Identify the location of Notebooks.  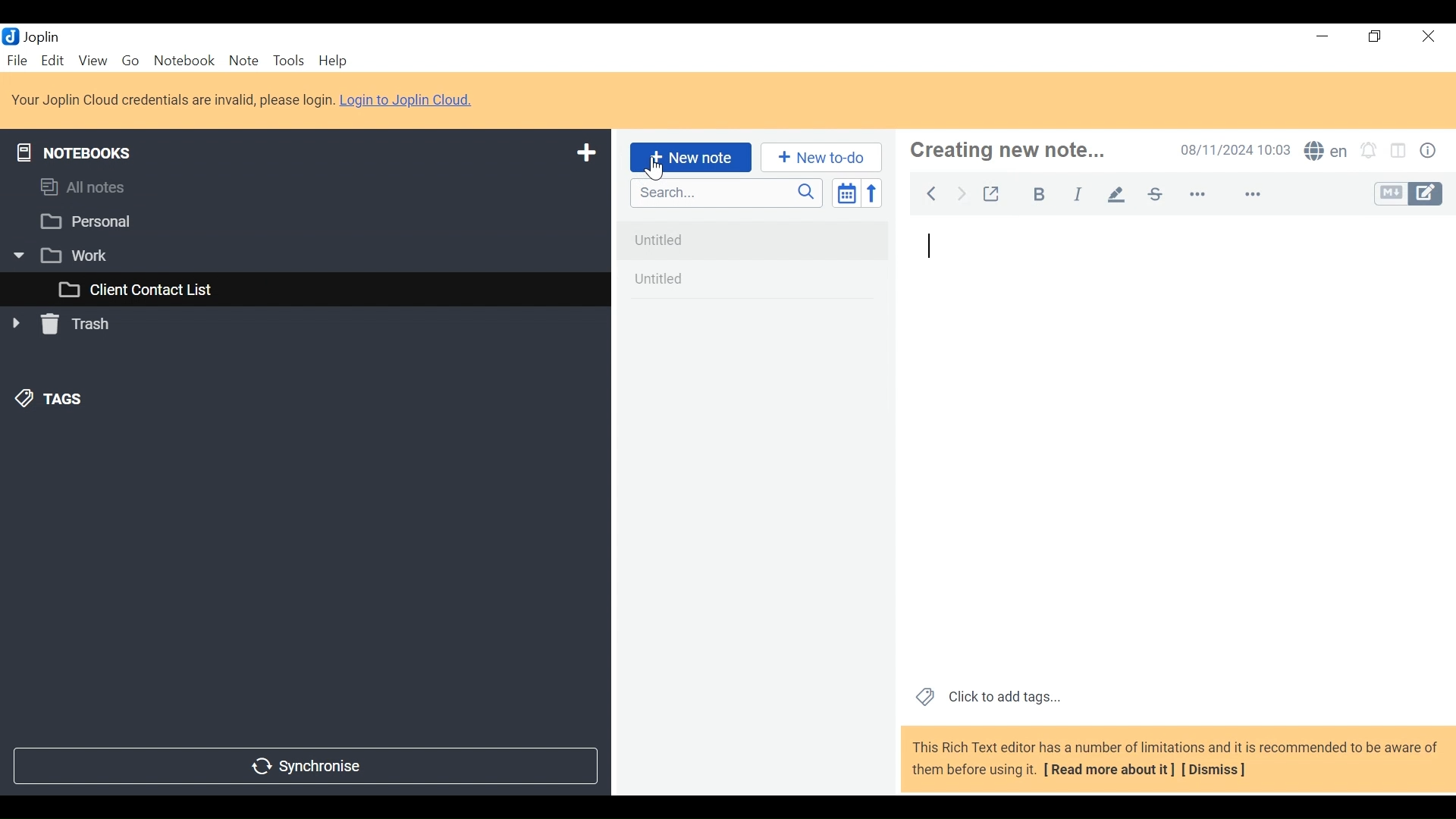
(78, 150).